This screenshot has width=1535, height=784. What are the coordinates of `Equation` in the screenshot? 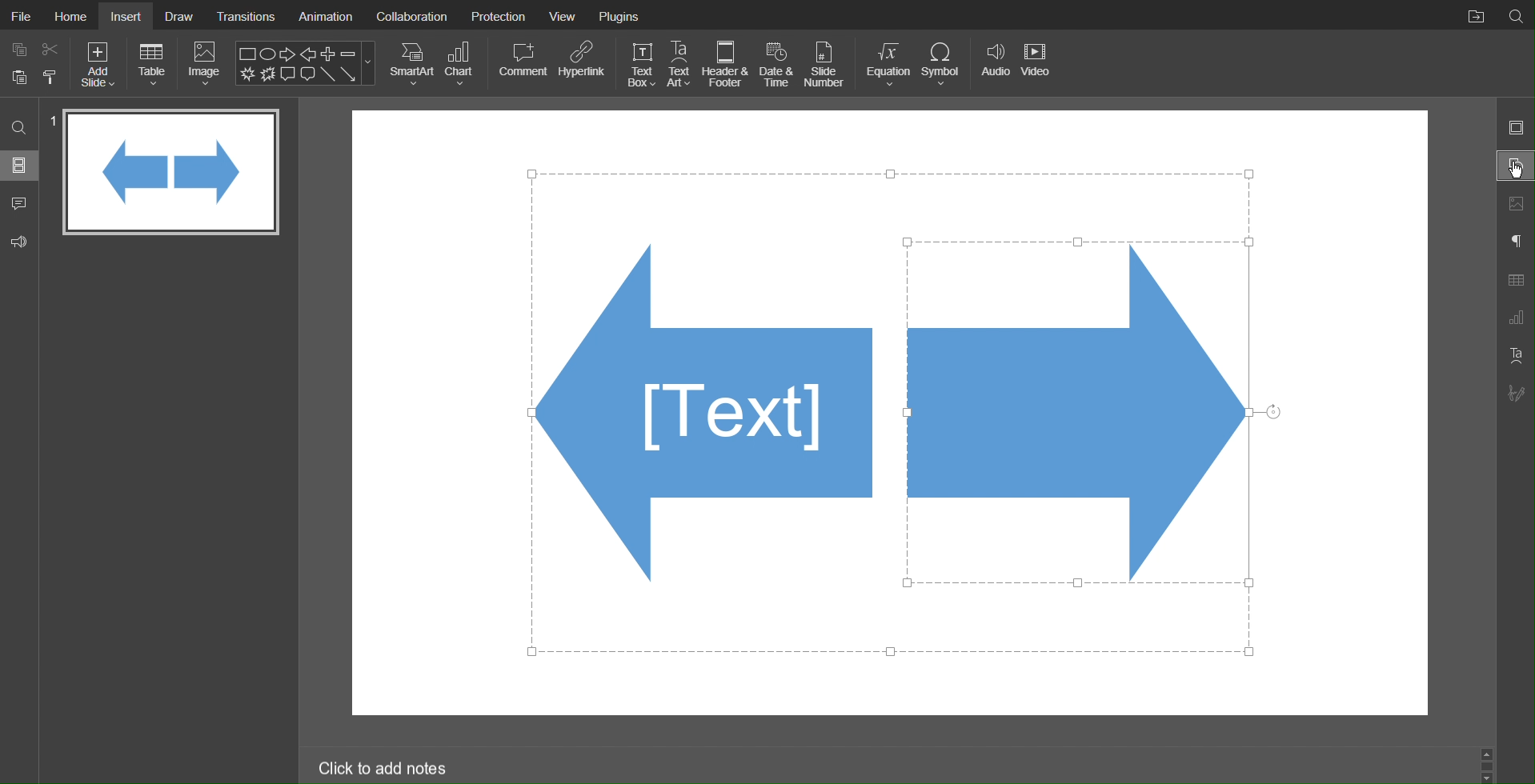 It's located at (886, 64).